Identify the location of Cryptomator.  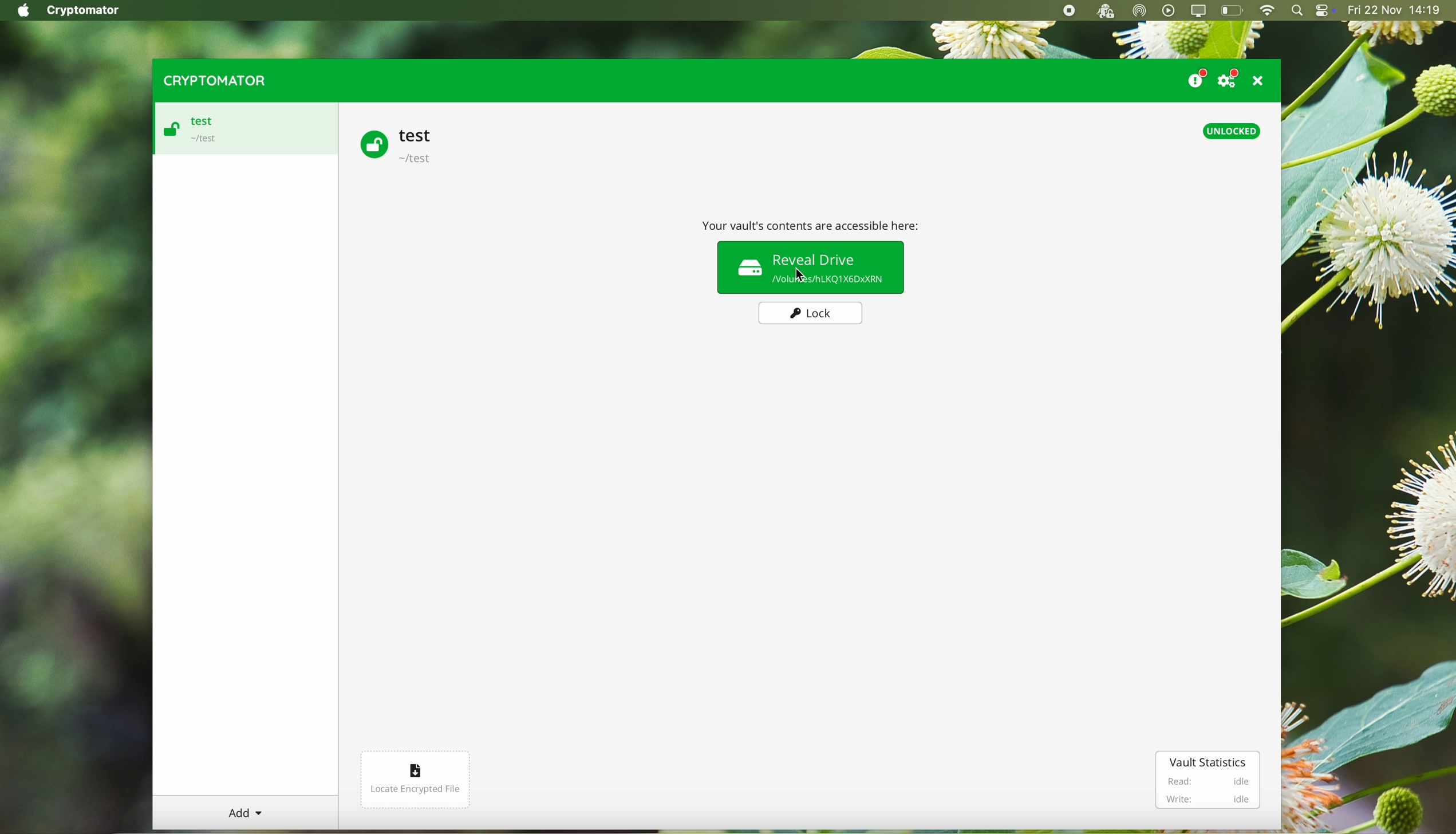
(85, 11).